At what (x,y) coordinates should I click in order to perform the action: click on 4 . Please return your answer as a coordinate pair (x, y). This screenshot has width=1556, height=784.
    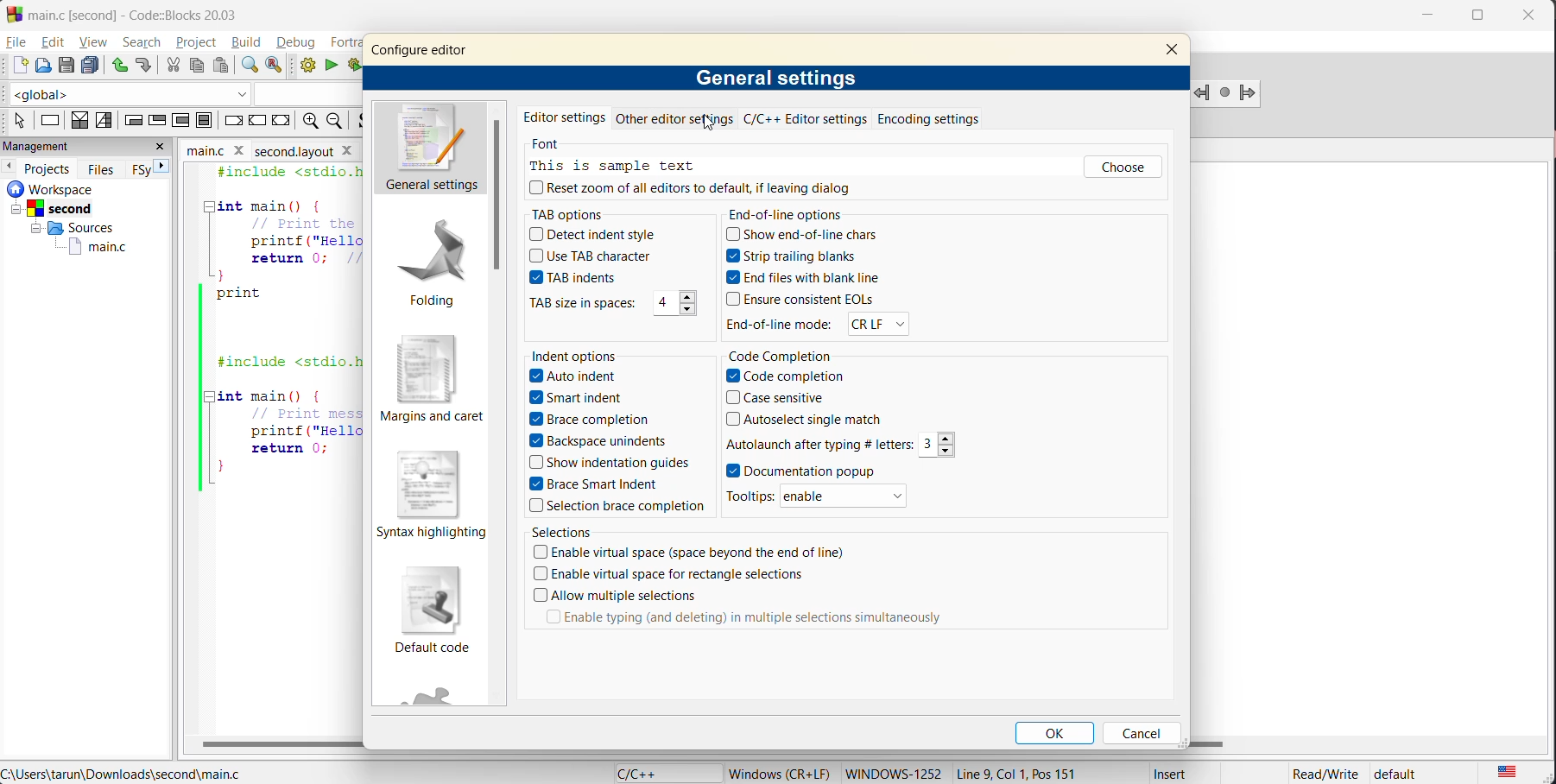
    Looking at the image, I should click on (676, 303).